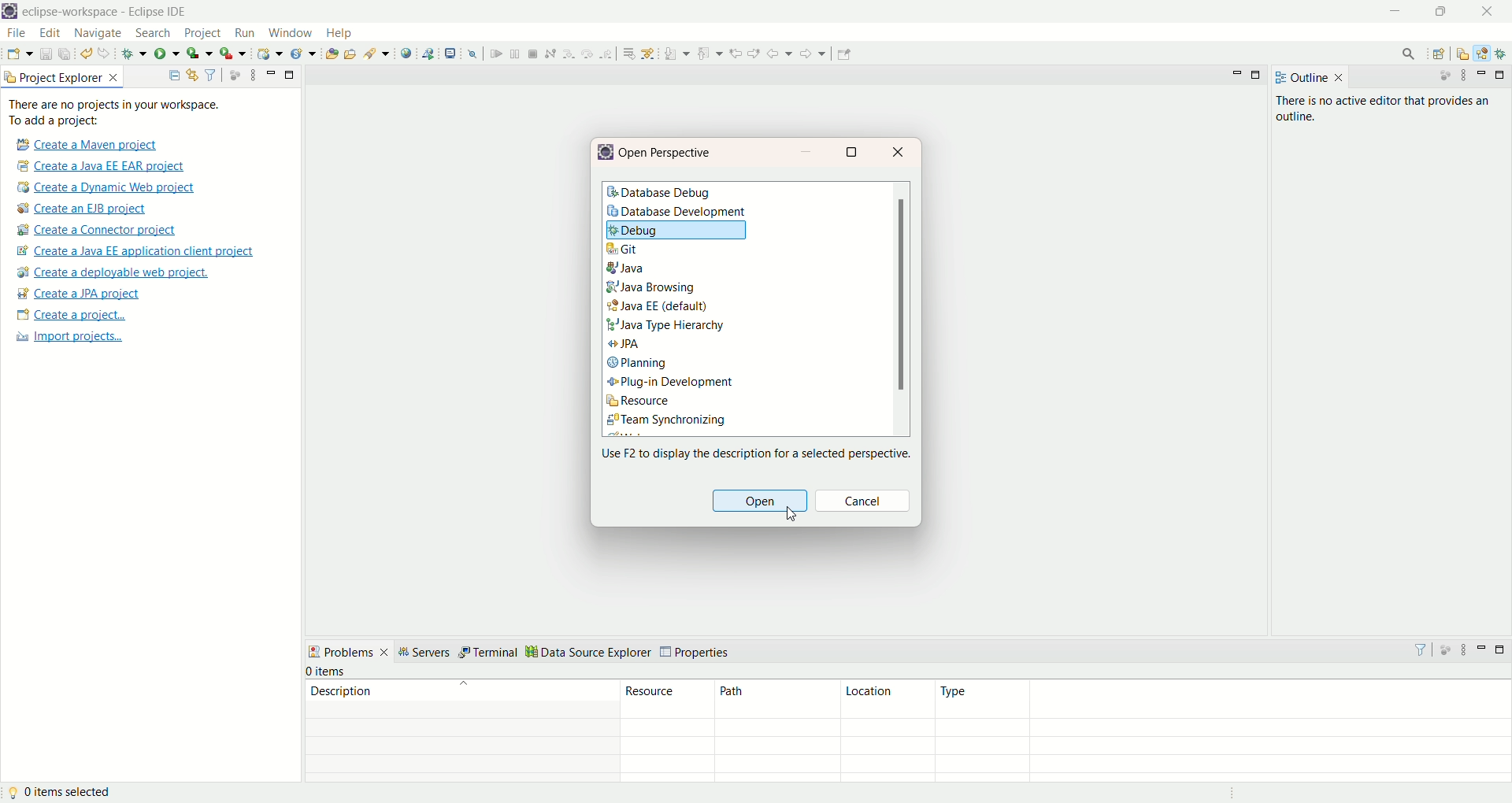 This screenshot has height=803, width=1512. What do you see at coordinates (1442, 76) in the screenshot?
I see `focus on active task` at bounding box center [1442, 76].